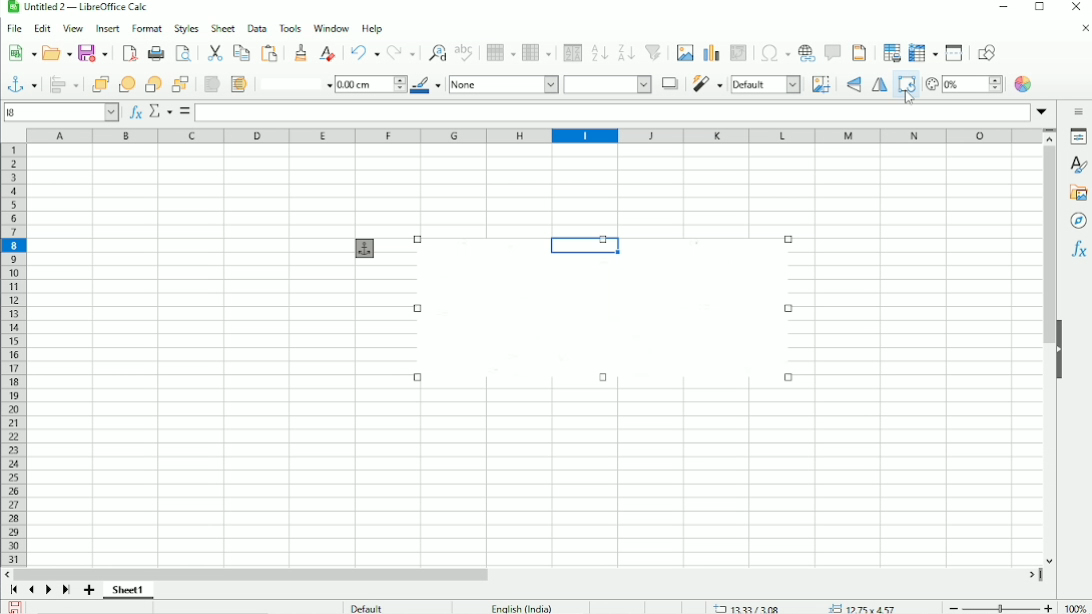 The width and height of the screenshot is (1092, 614). I want to click on Insert comment, so click(832, 53).